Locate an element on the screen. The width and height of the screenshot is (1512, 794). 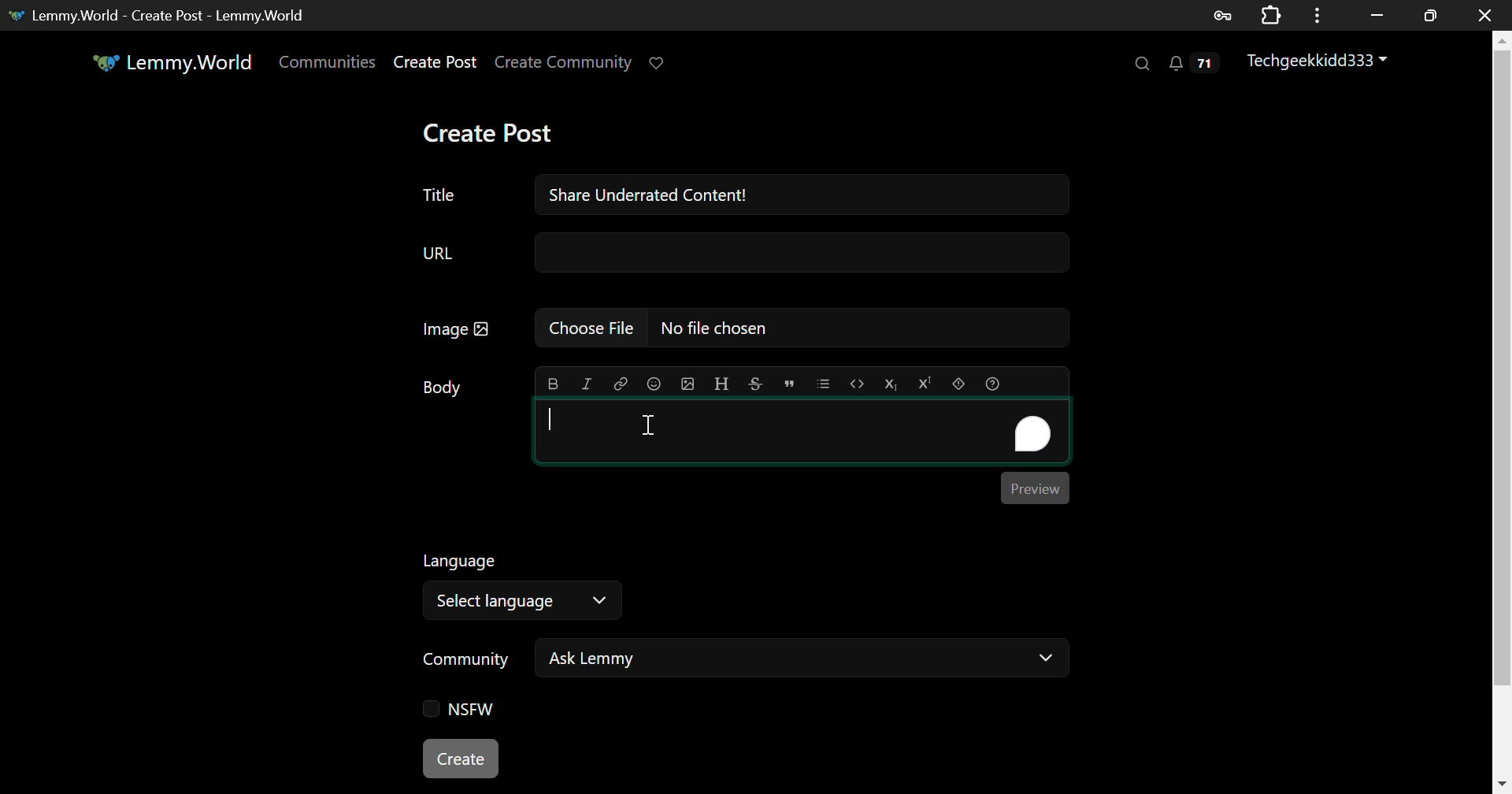
Select Language is located at coordinates (528, 583).